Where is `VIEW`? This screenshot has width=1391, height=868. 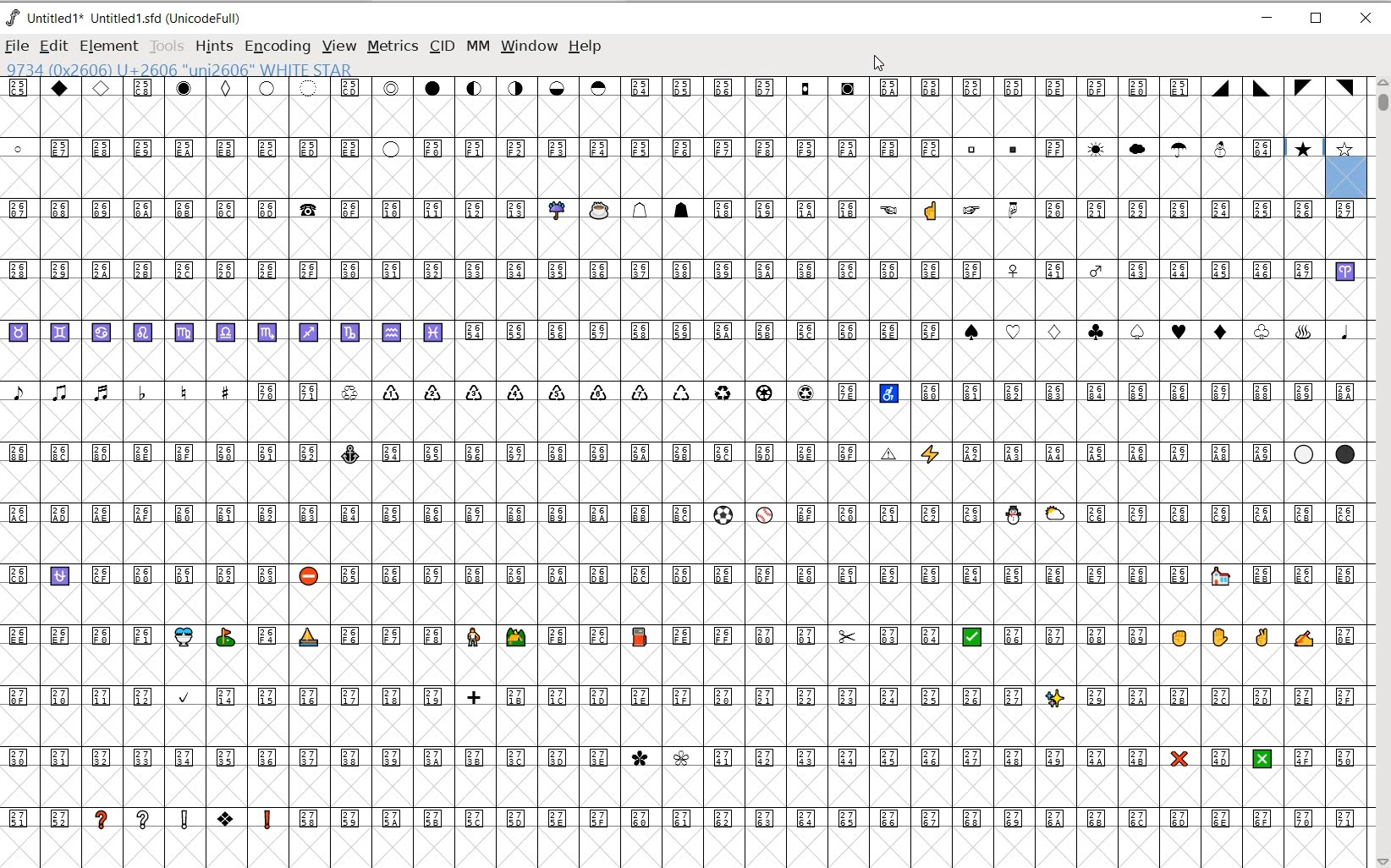
VIEW is located at coordinates (338, 47).